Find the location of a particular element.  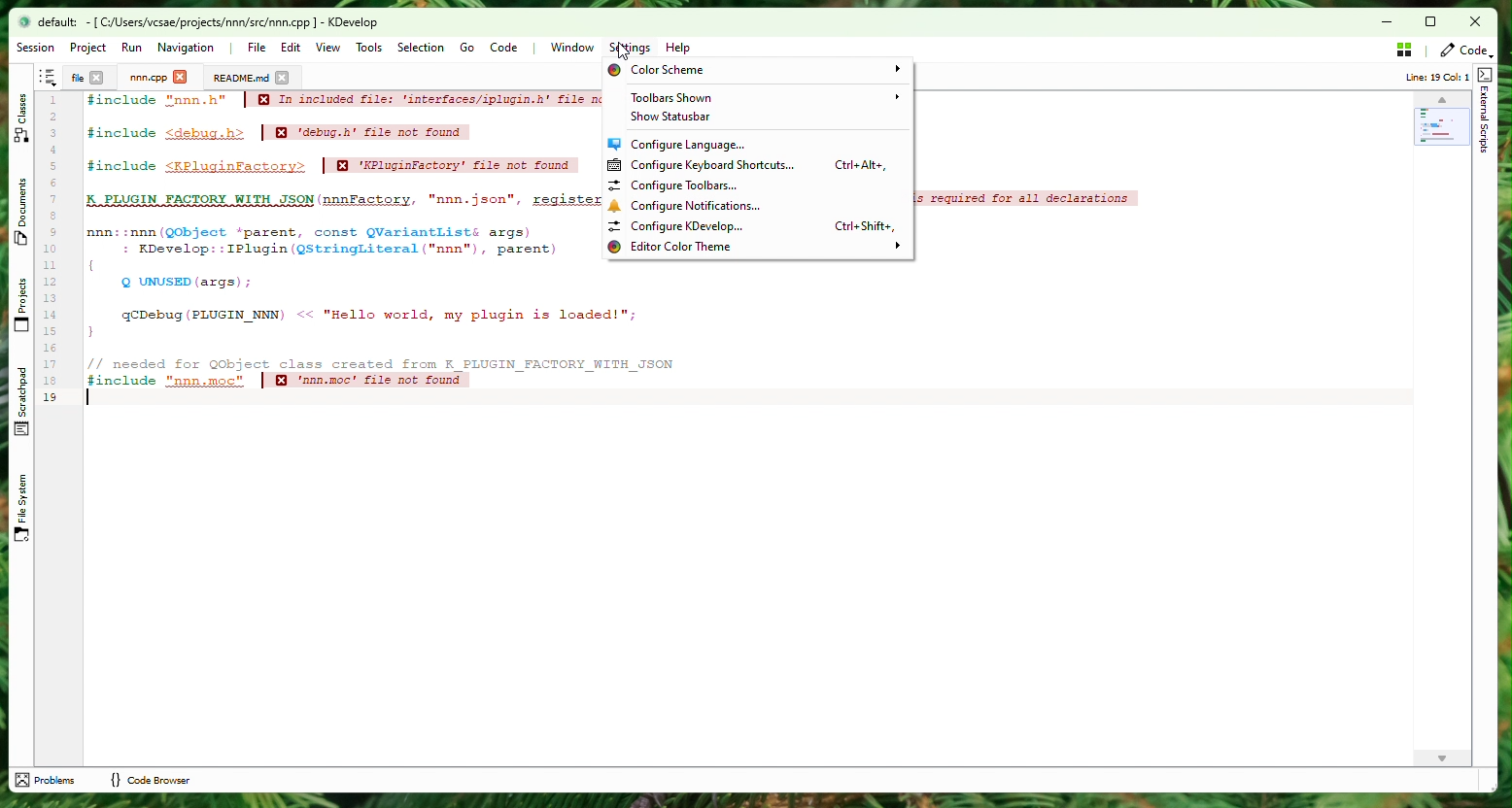

Session is located at coordinates (35, 49).